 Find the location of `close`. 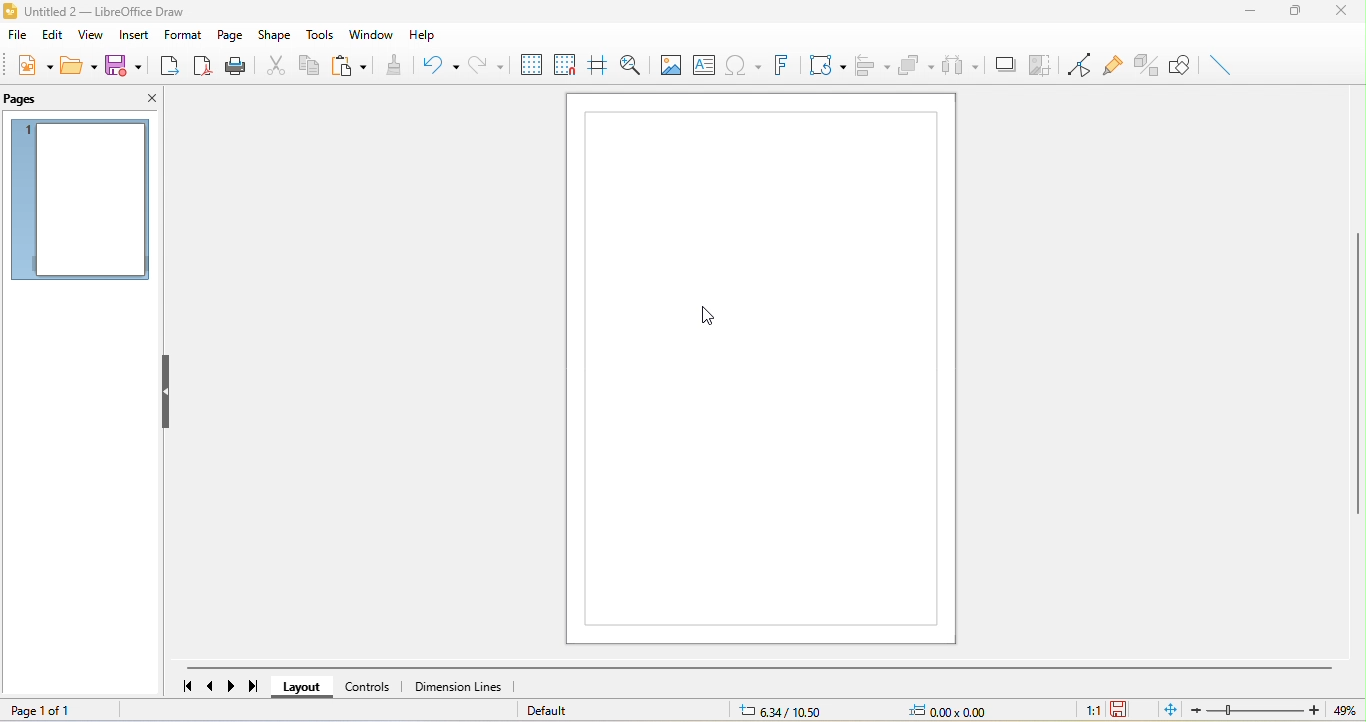

close is located at coordinates (1346, 11).